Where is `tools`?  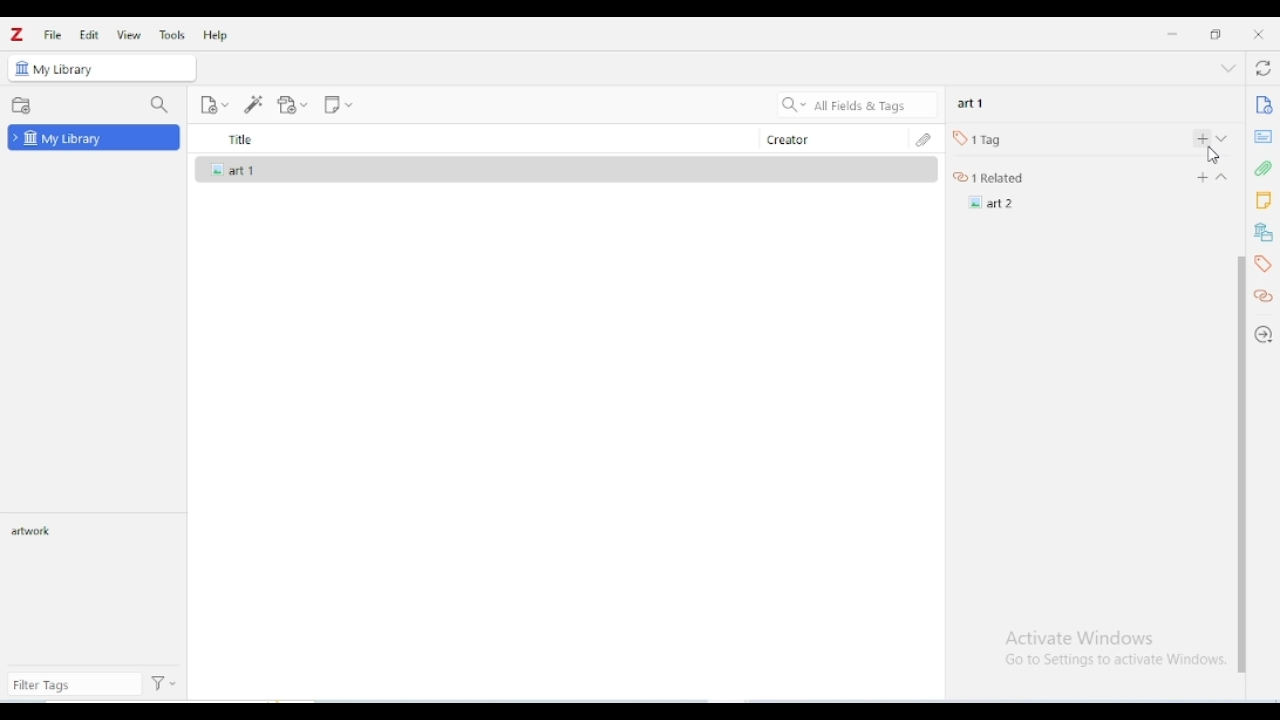
tools is located at coordinates (172, 35).